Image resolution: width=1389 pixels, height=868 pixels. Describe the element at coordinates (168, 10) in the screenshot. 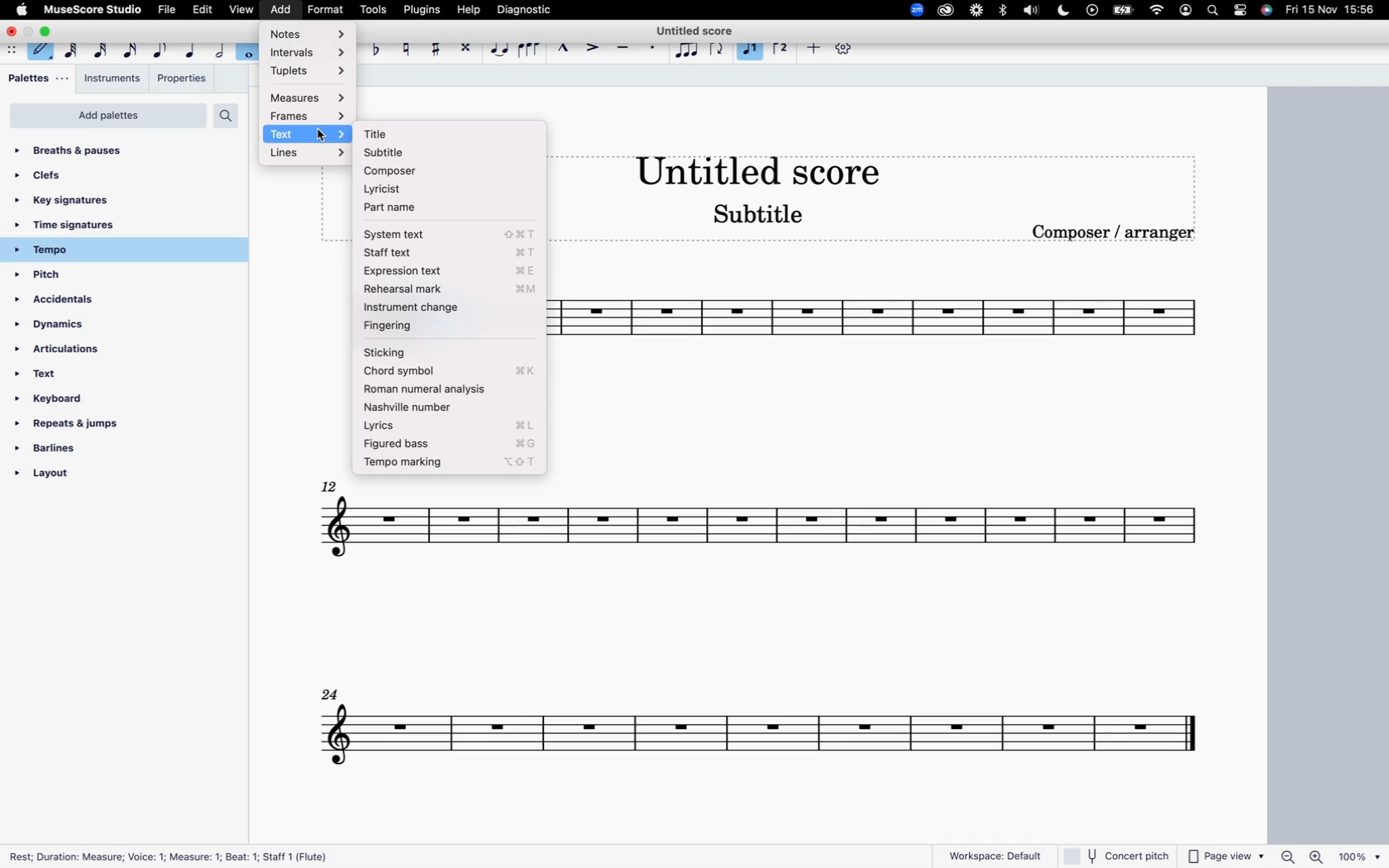

I see `file` at that location.